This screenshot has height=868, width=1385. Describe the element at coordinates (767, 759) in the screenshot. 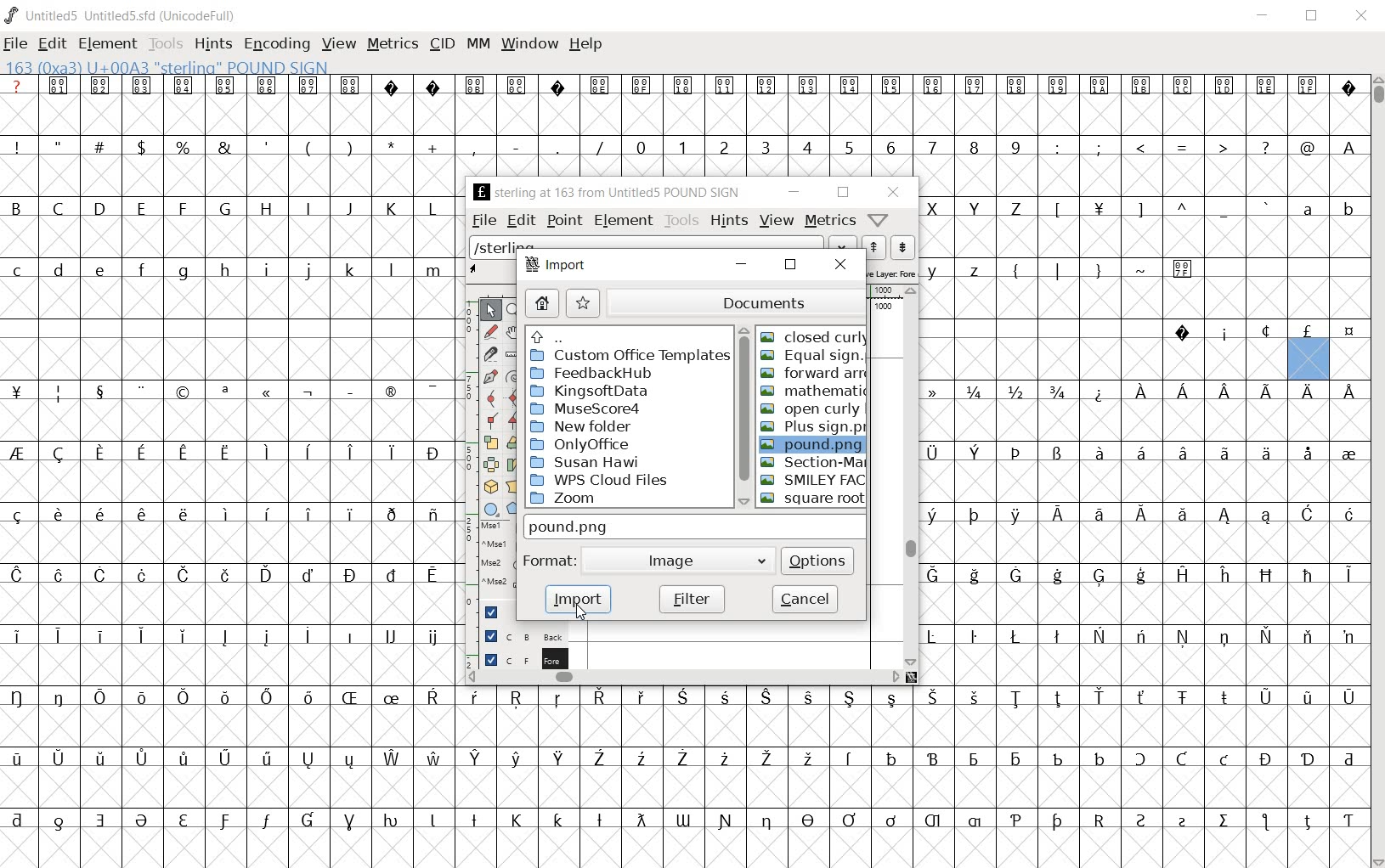

I see `Symbol` at that location.